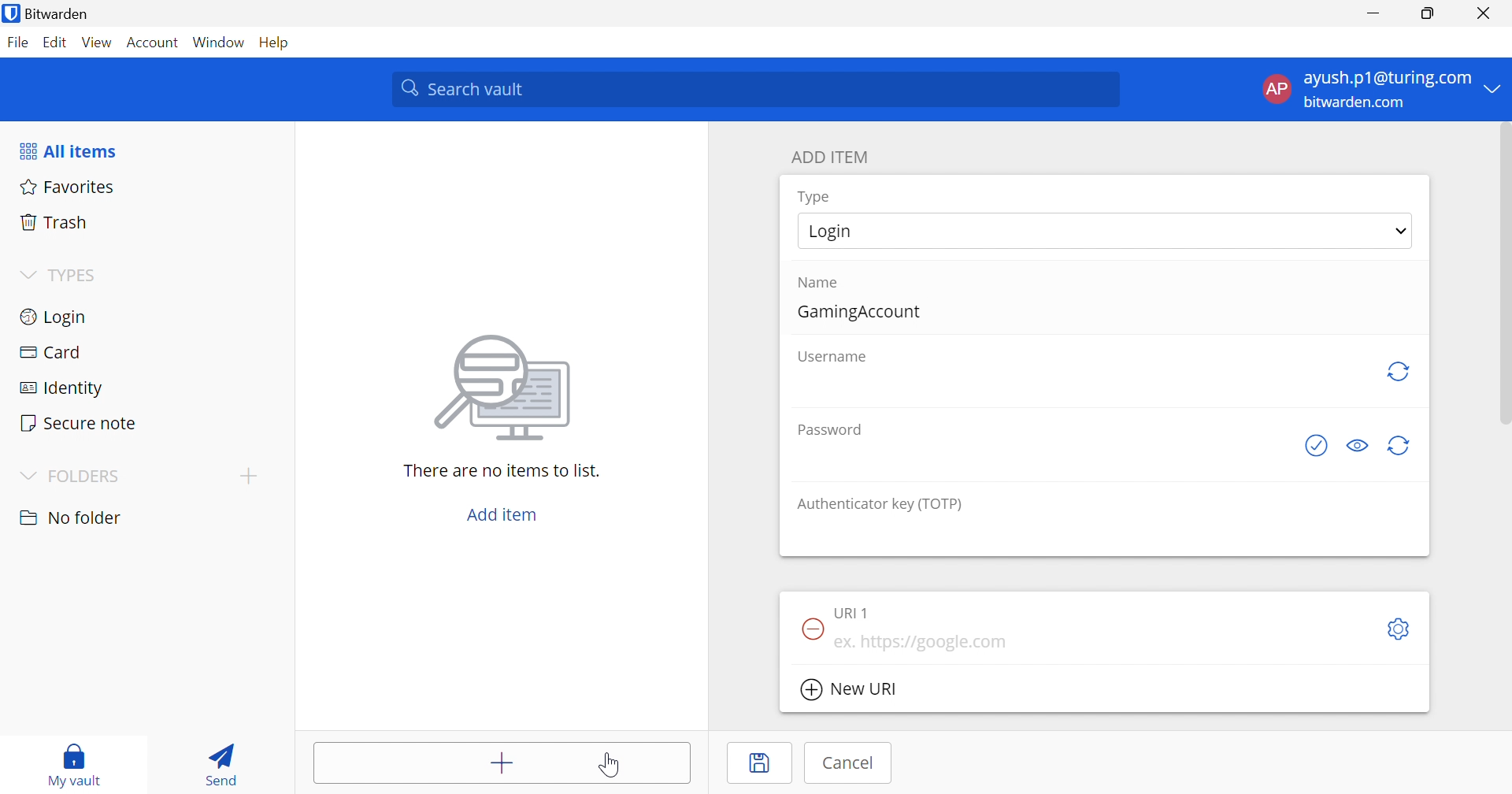  What do you see at coordinates (1319, 447) in the screenshot?
I see `Generate password` at bounding box center [1319, 447].